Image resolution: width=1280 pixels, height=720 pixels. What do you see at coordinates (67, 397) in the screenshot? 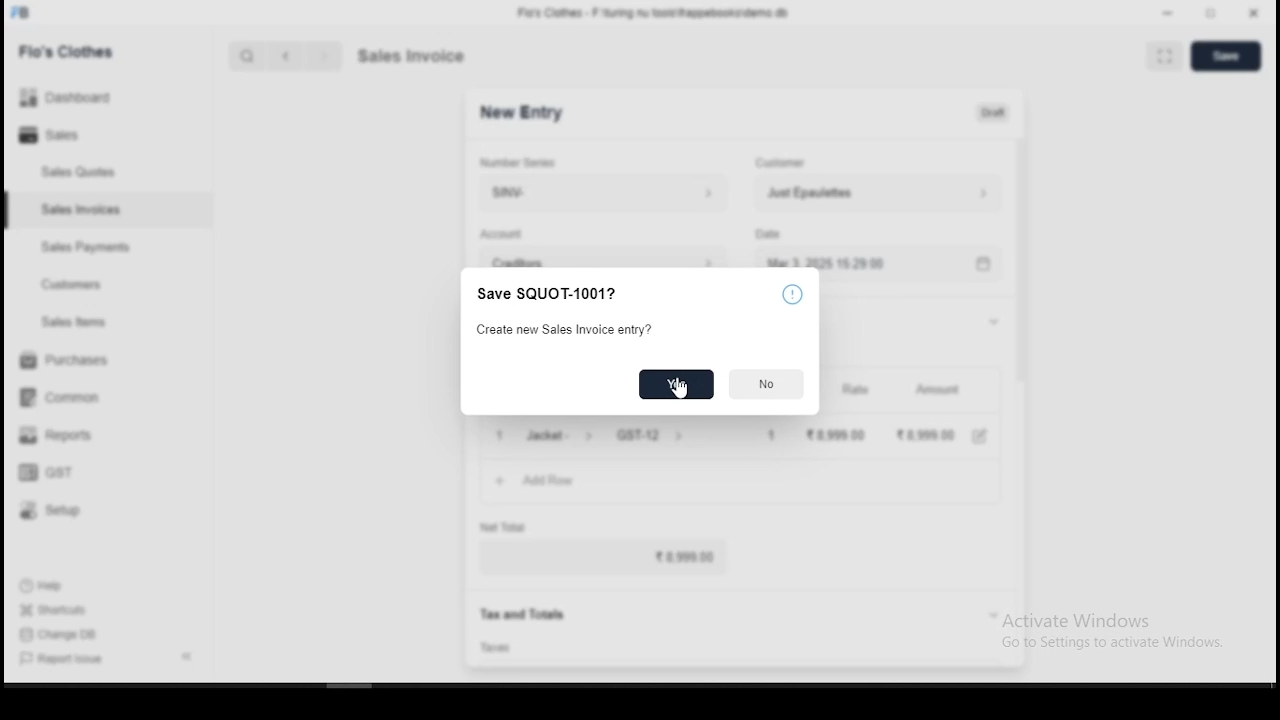
I see `common` at bounding box center [67, 397].